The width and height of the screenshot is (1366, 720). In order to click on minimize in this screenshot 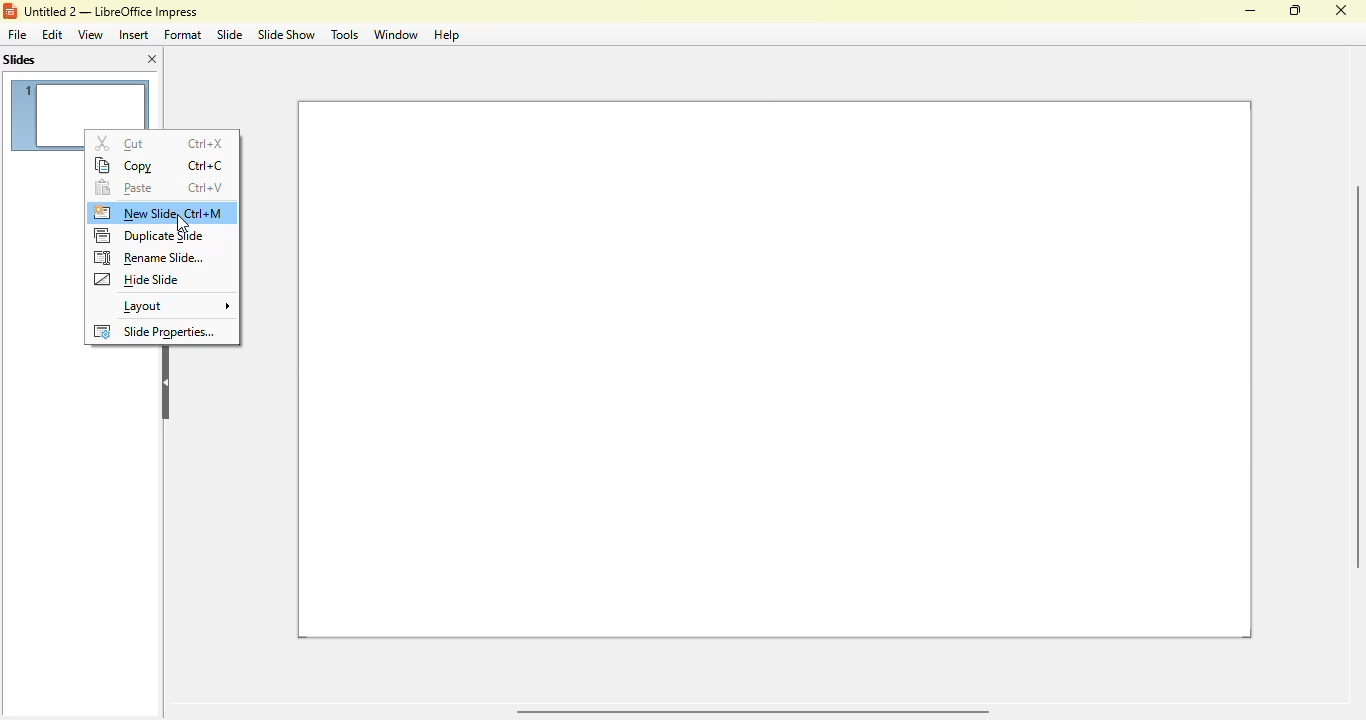, I will do `click(1250, 11)`.